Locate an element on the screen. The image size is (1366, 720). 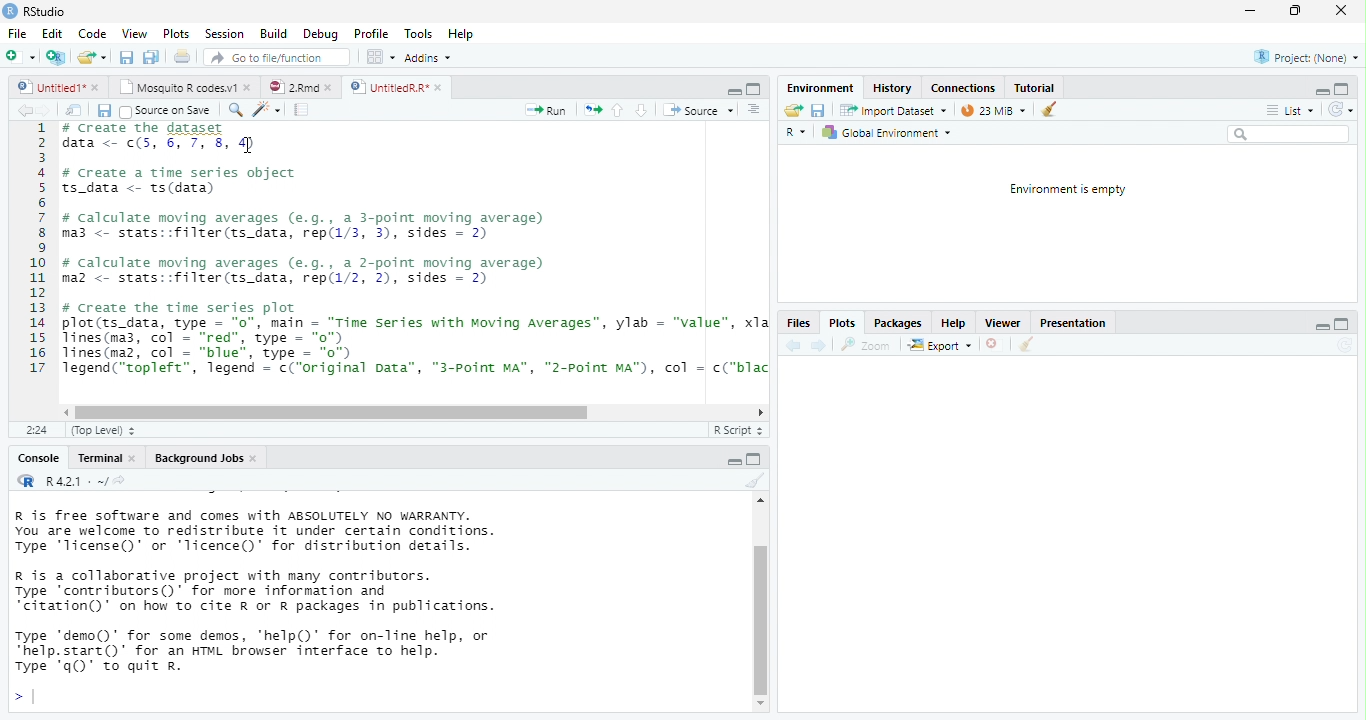
R is free software and comes with ABSOLUTELY NO WARRANTY.
You are welcome to redistribute it under certain conditions.
Type 'Ticense()' or "Ticence()' for distribution details.

R is a collaborative project with many contributors.

Type contributors()’ for more information and

“citation()’ on how to cite R or R packages in publications.
Type "demo()’ for some demos, 'help()’ for on-Tine help, or
*help.start()’ for an HTML browser interface to help.

Type 'q()’ to quit R. is located at coordinates (340, 591).